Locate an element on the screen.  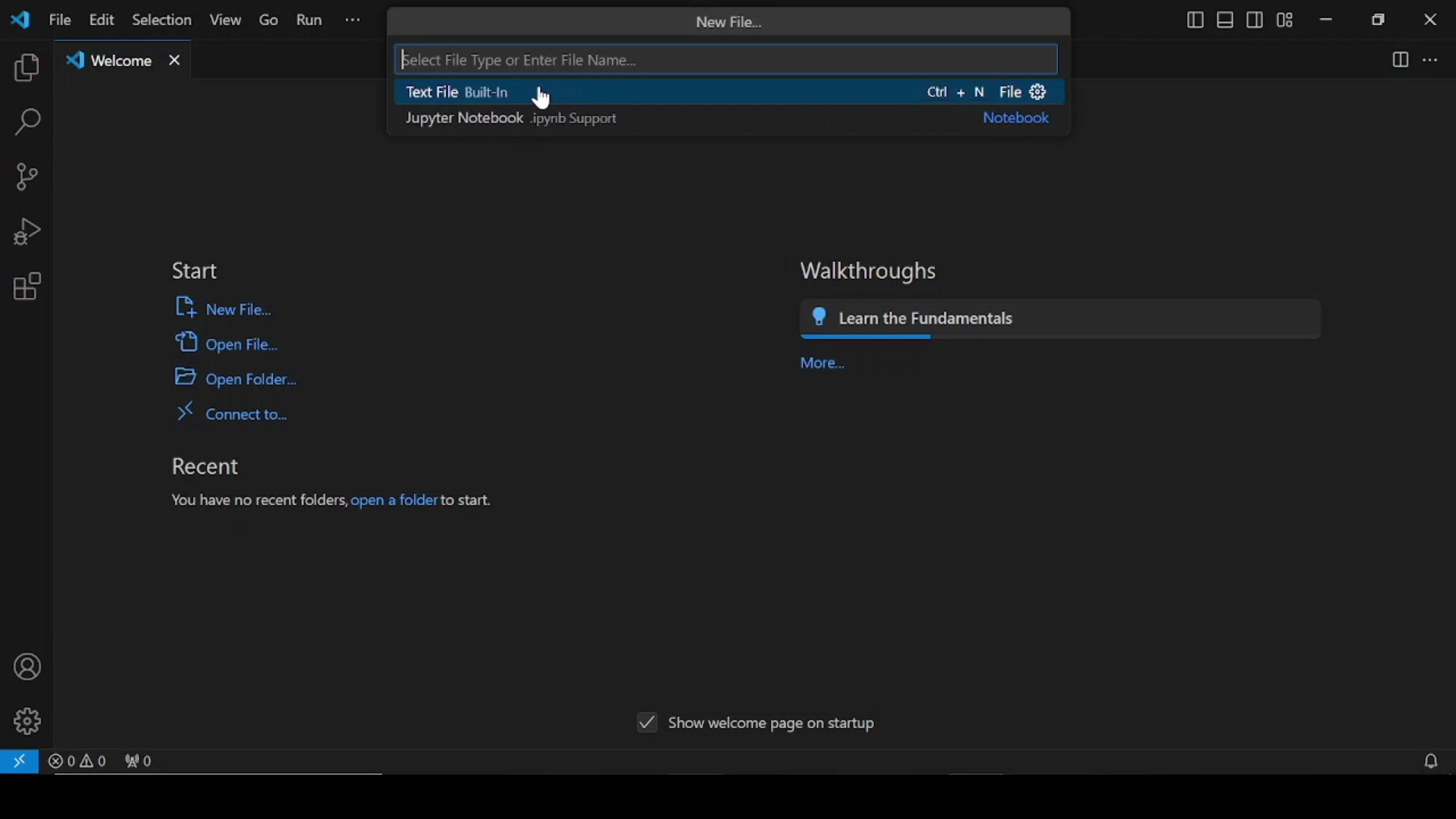
split editor right split editor down is located at coordinates (1401, 58).